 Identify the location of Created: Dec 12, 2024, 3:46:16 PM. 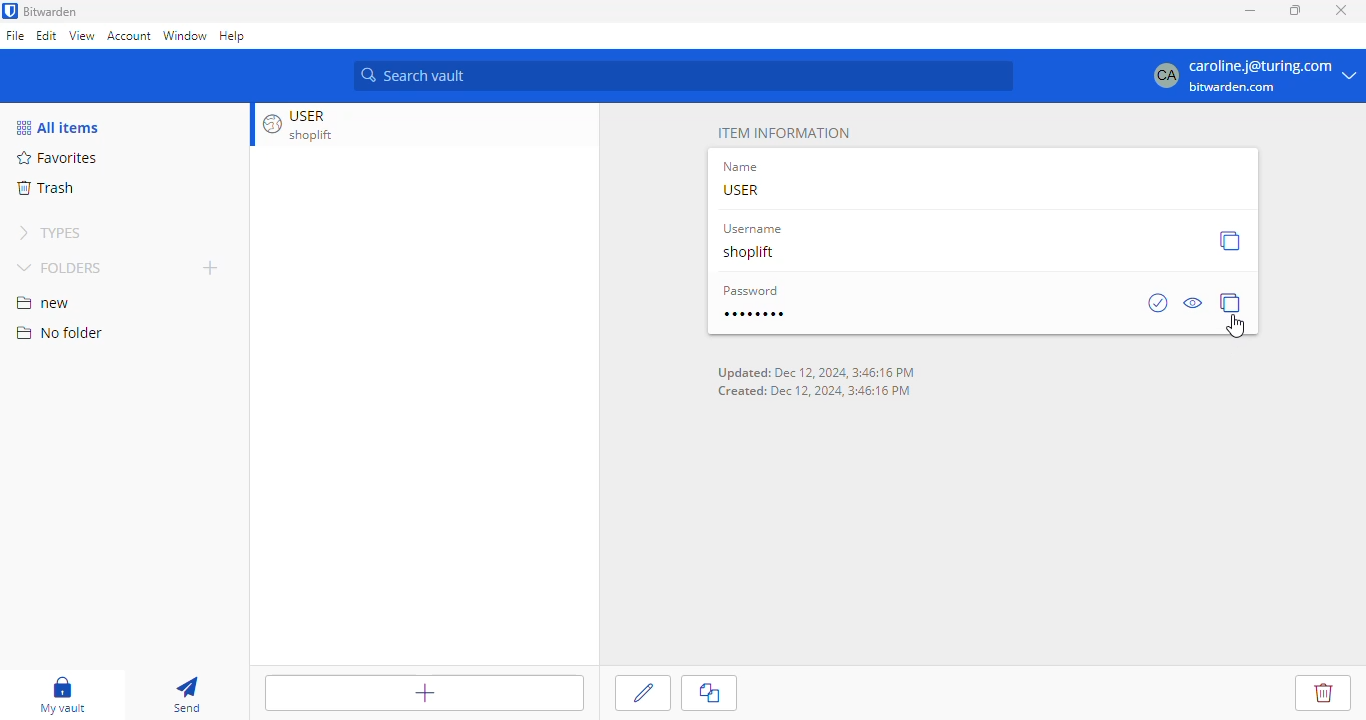
(816, 391).